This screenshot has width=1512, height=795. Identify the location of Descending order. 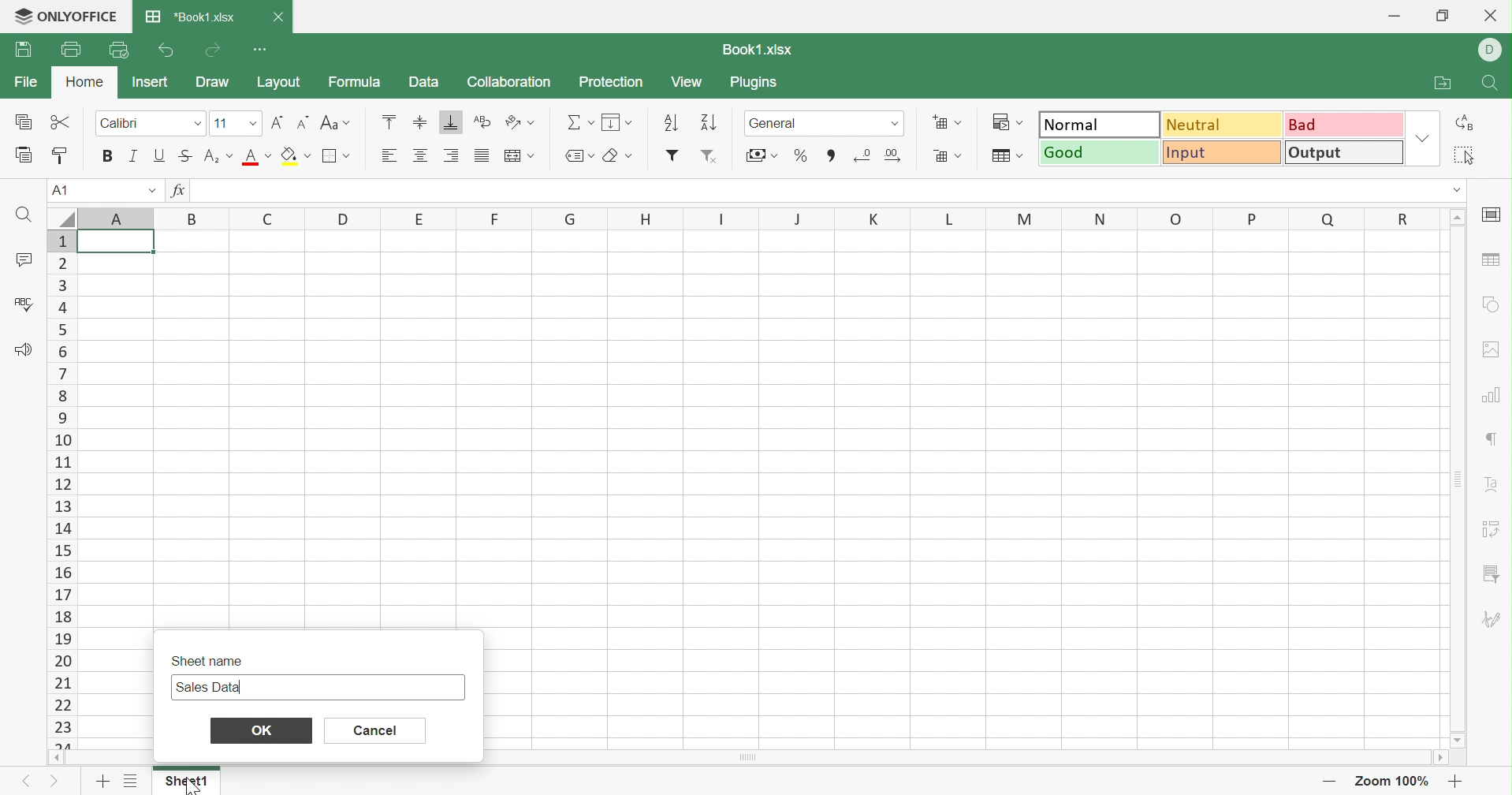
(707, 121).